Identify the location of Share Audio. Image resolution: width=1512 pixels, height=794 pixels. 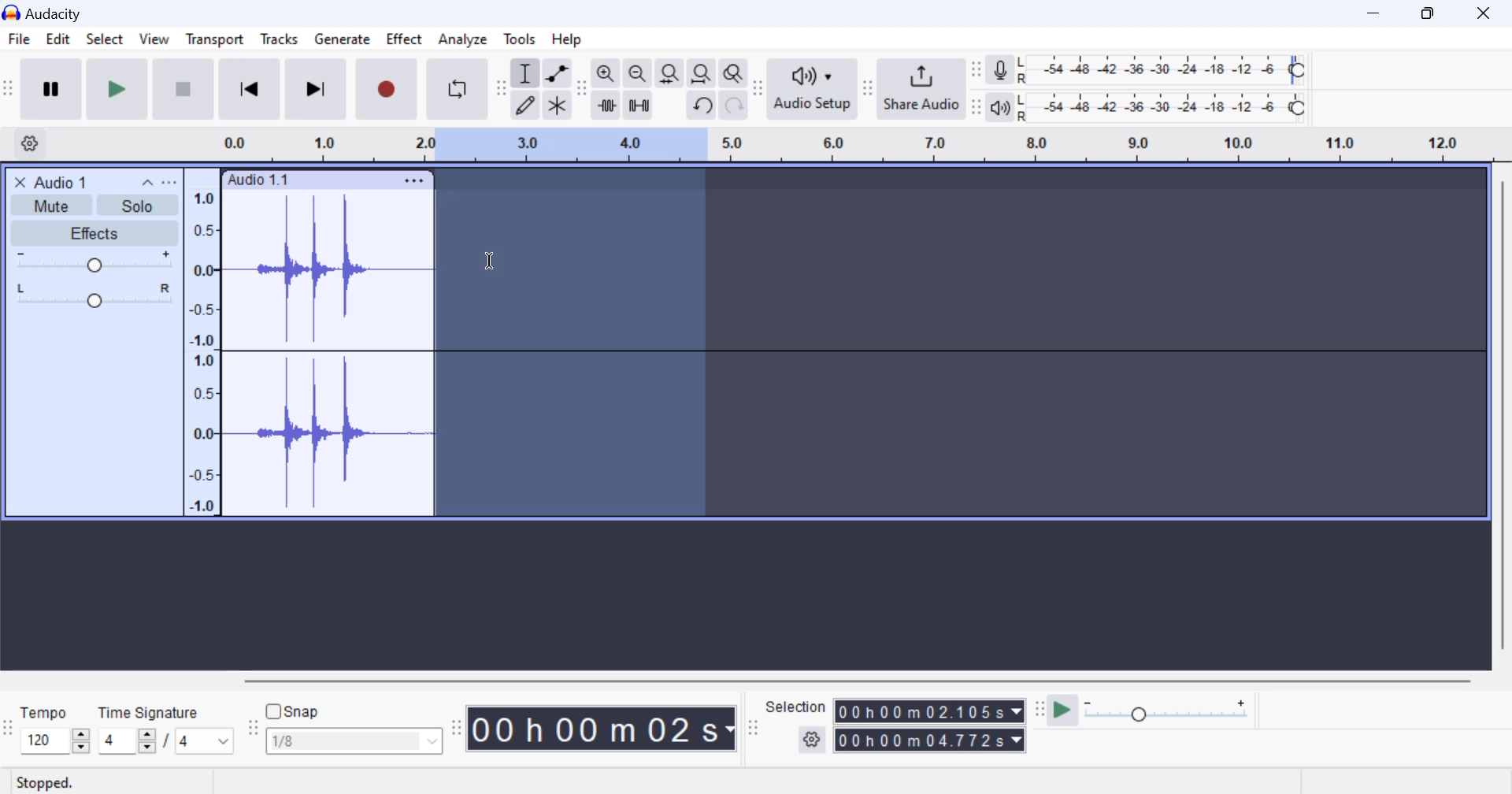
(921, 88).